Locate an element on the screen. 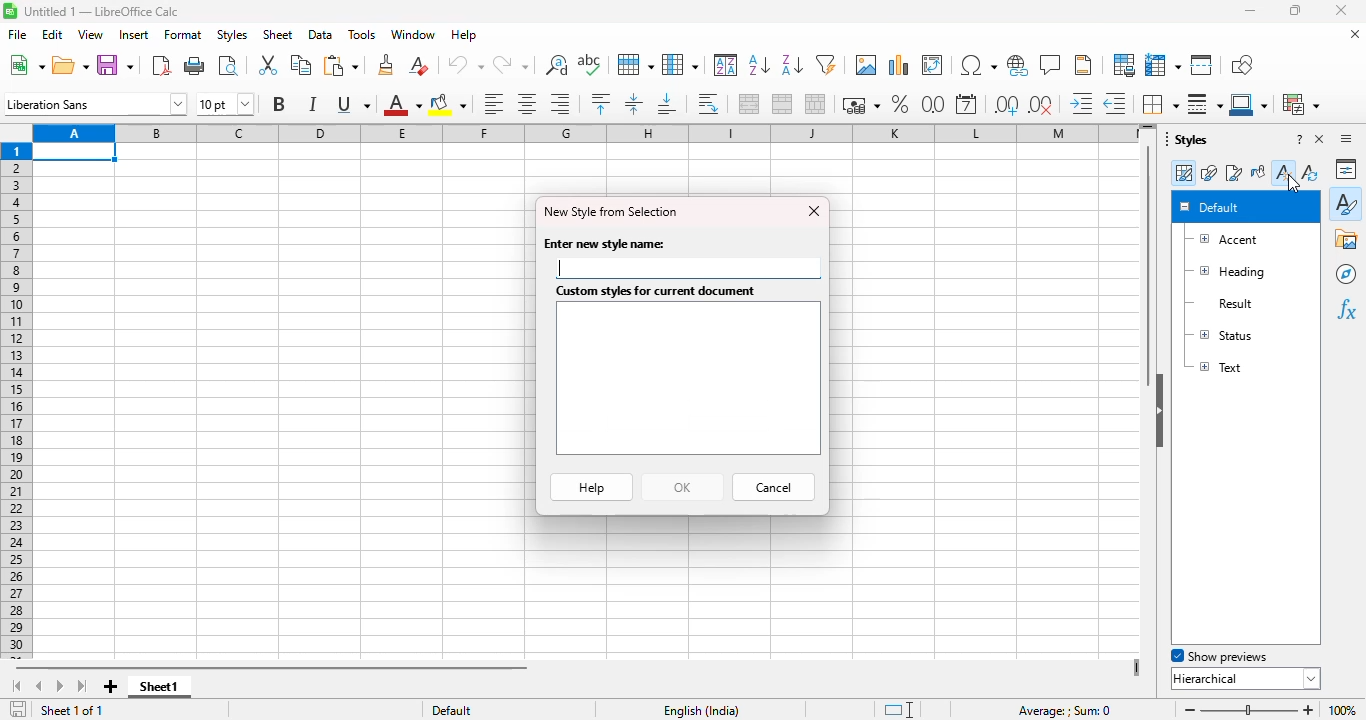 Image resolution: width=1366 pixels, height=720 pixels. new style from selection is located at coordinates (1283, 171).